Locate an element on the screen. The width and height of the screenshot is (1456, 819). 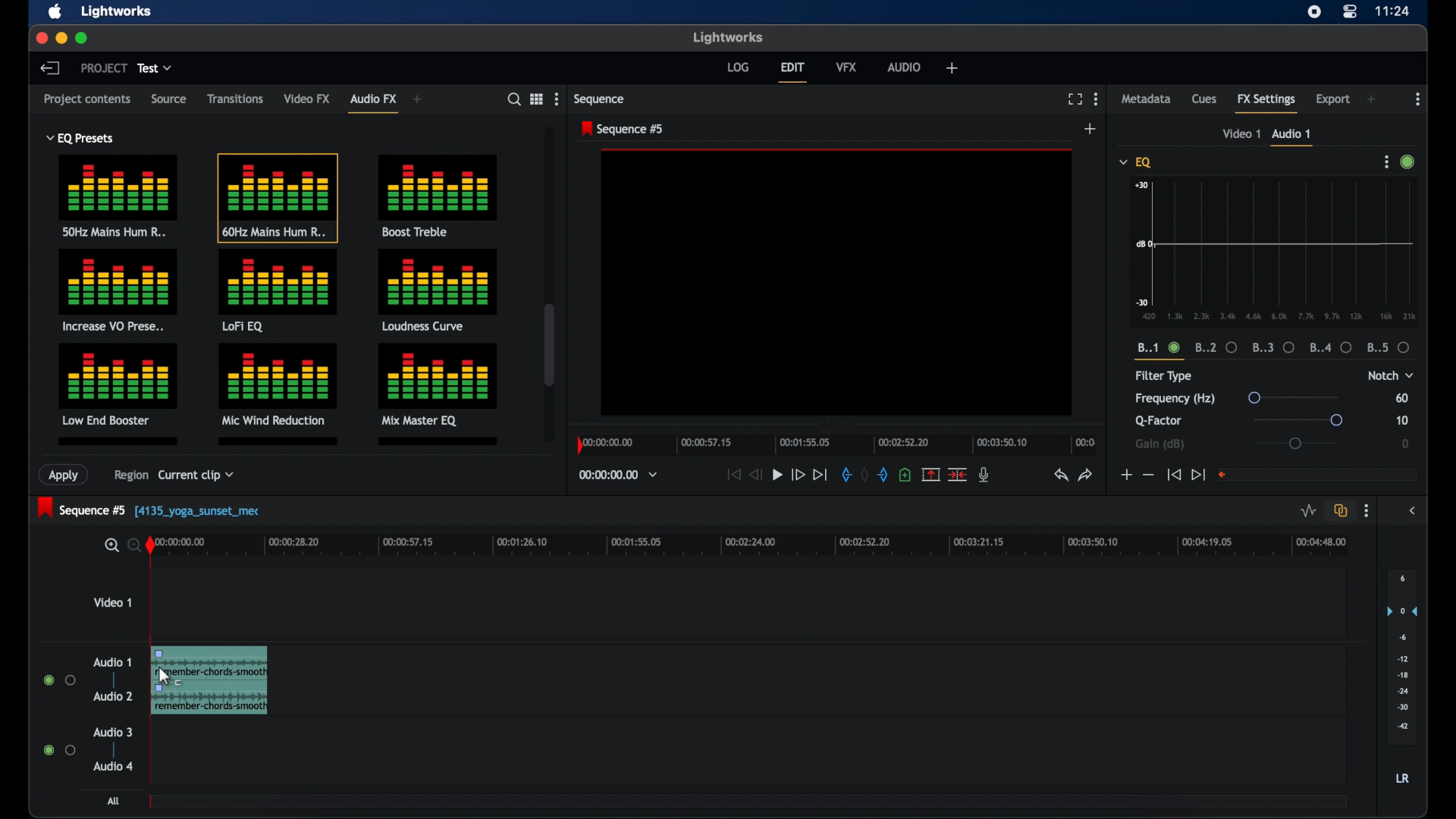
audio fx is located at coordinates (373, 102).